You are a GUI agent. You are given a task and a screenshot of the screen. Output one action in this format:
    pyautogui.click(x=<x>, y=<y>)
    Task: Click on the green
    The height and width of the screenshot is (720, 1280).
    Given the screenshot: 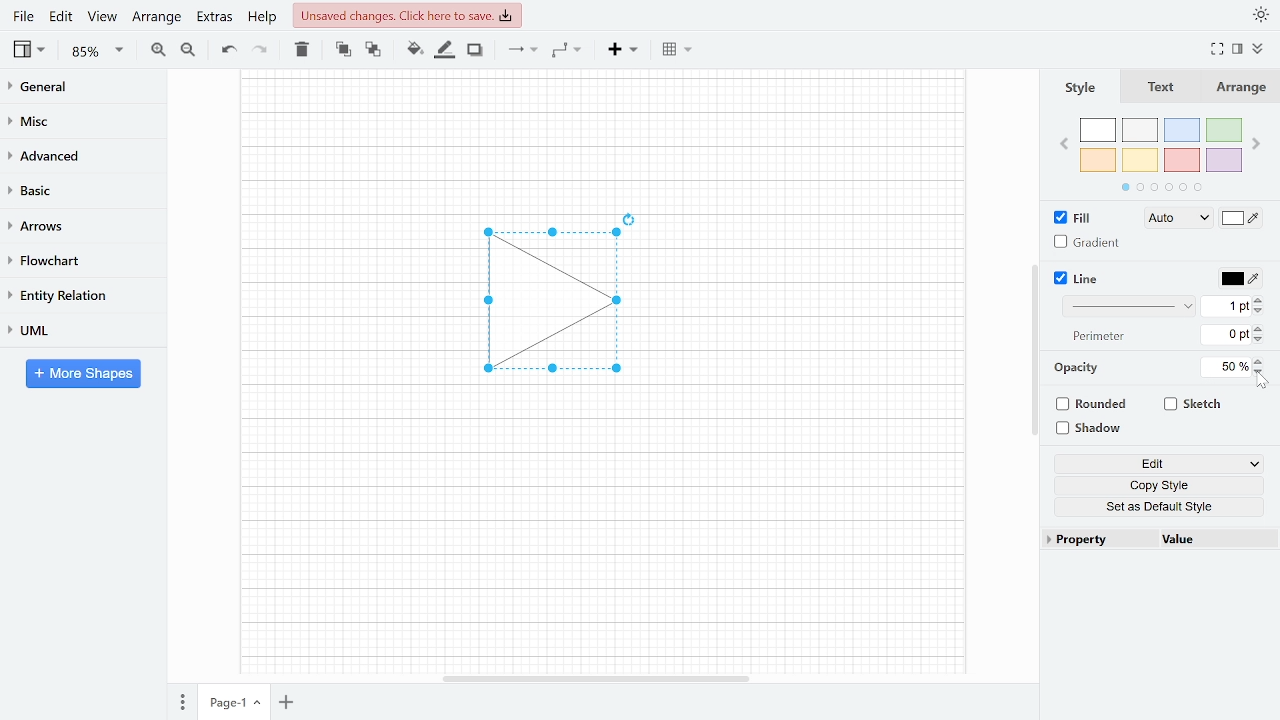 What is the action you would take?
    pyautogui.click(x=1225, y=131)
    